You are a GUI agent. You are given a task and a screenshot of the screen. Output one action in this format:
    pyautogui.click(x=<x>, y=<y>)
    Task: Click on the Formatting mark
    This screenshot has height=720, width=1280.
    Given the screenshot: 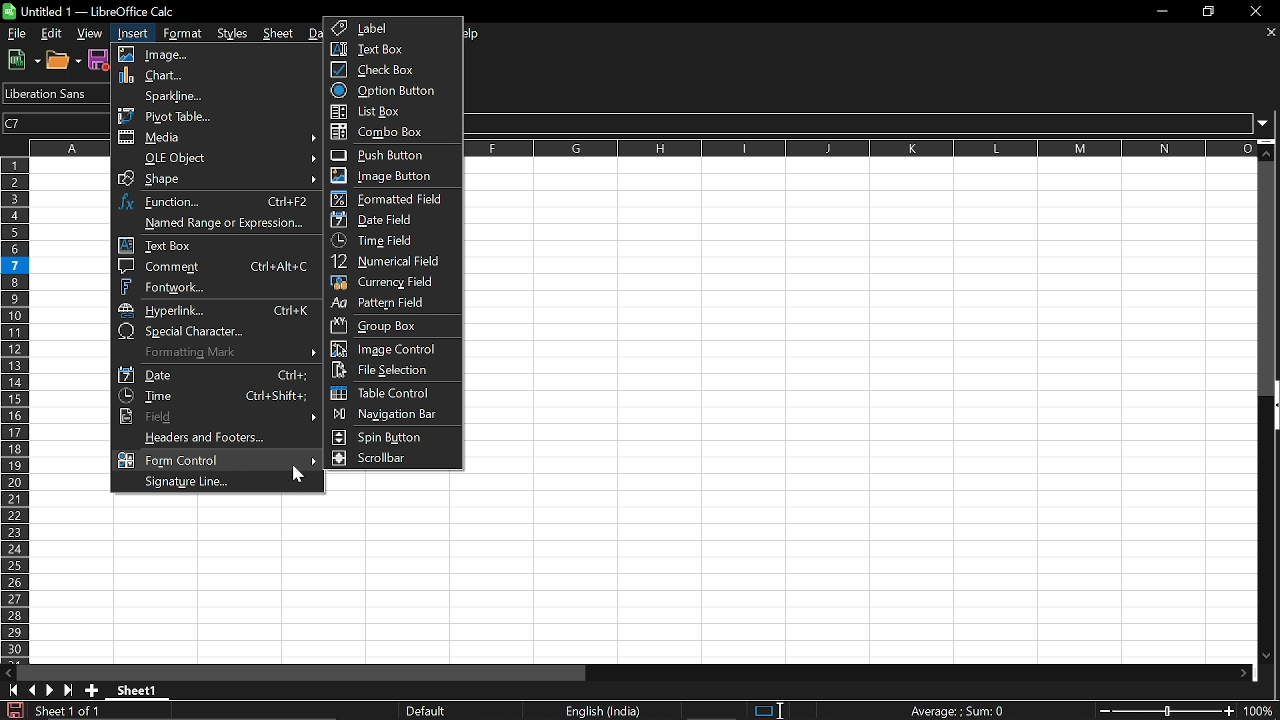 What is the action you would take?
    pyautogui.click(x=217, y=353)
    